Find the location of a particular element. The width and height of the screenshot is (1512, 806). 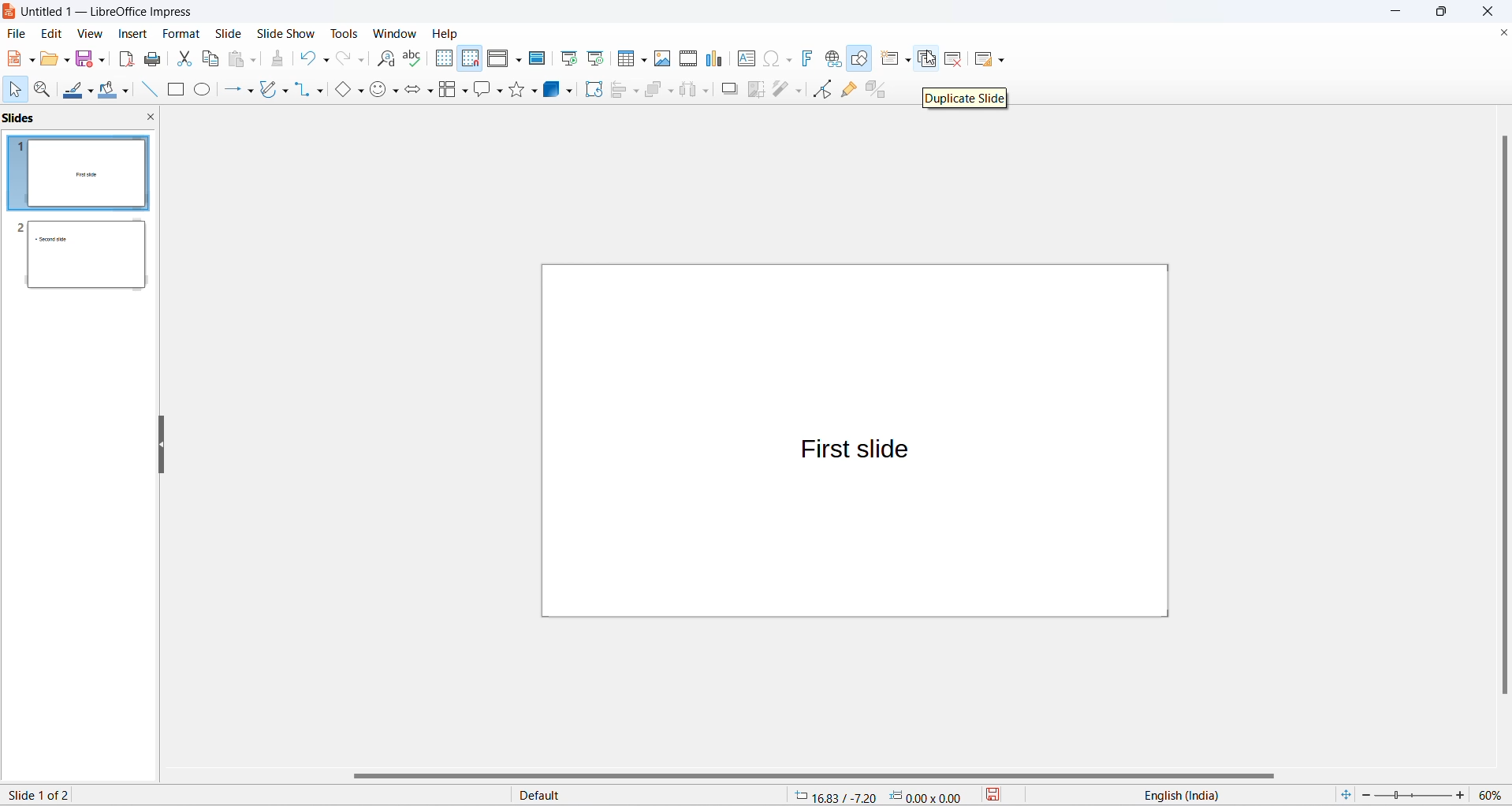

select at least three objects is located at coordinates (692, 89).